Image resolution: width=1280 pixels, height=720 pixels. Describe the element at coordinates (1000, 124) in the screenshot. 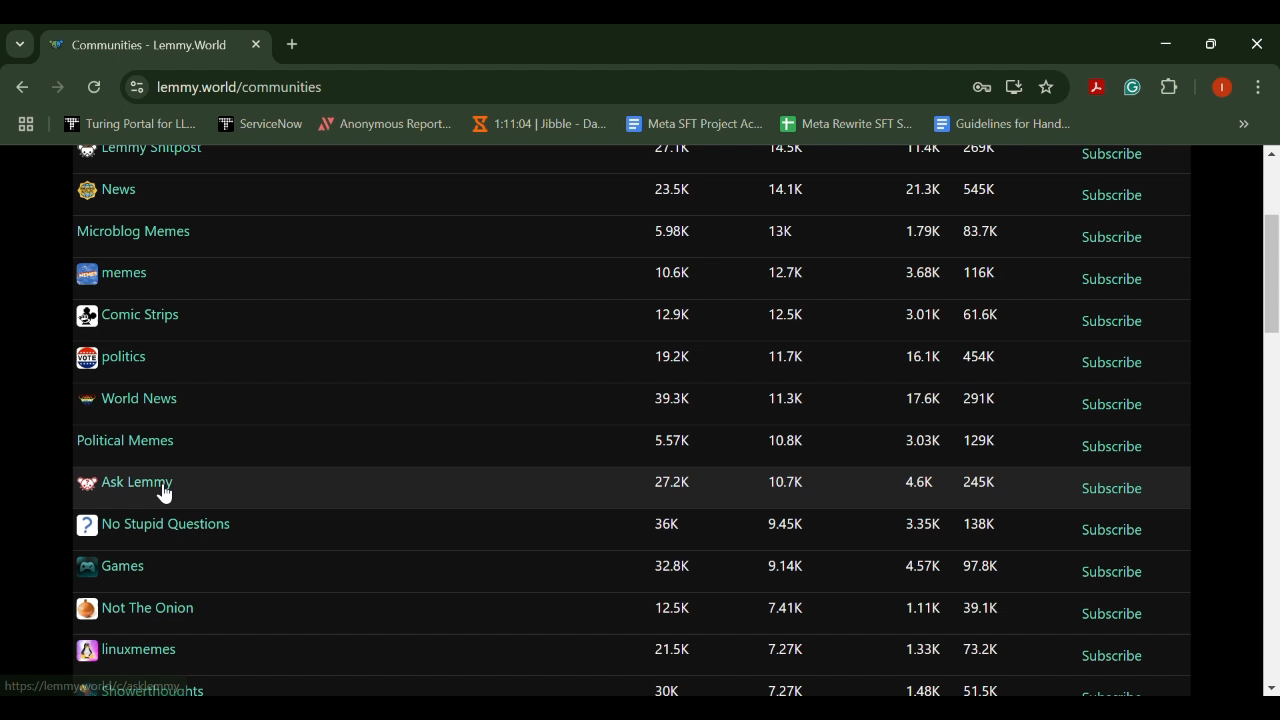

I see `Guidelines for Hand...` at that location.